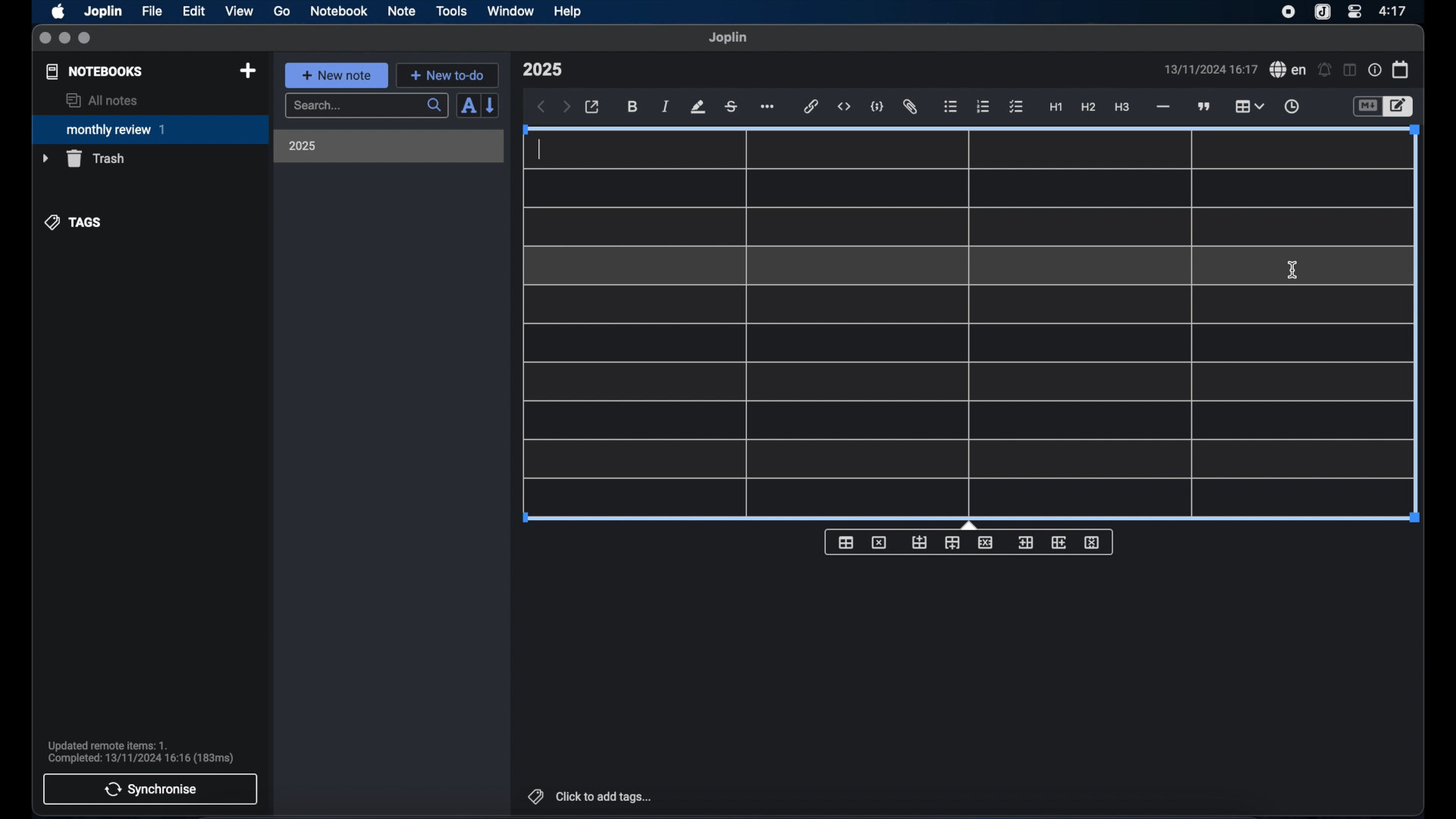 The height and width of the screenshot is (819, 1456). Describe the element at coordinates (141, 752) in the screenshot. I see `sync notification` at that location.